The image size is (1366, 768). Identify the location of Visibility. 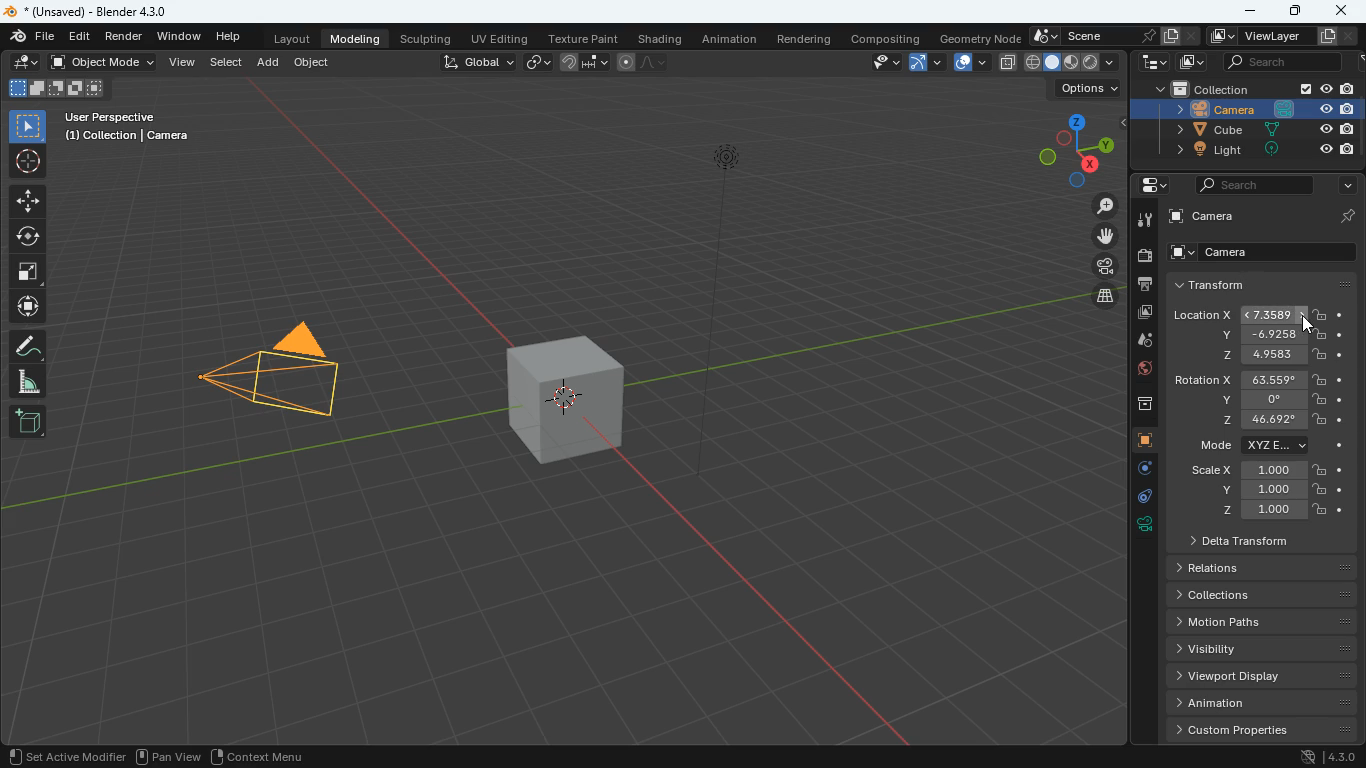
(1262, 649).